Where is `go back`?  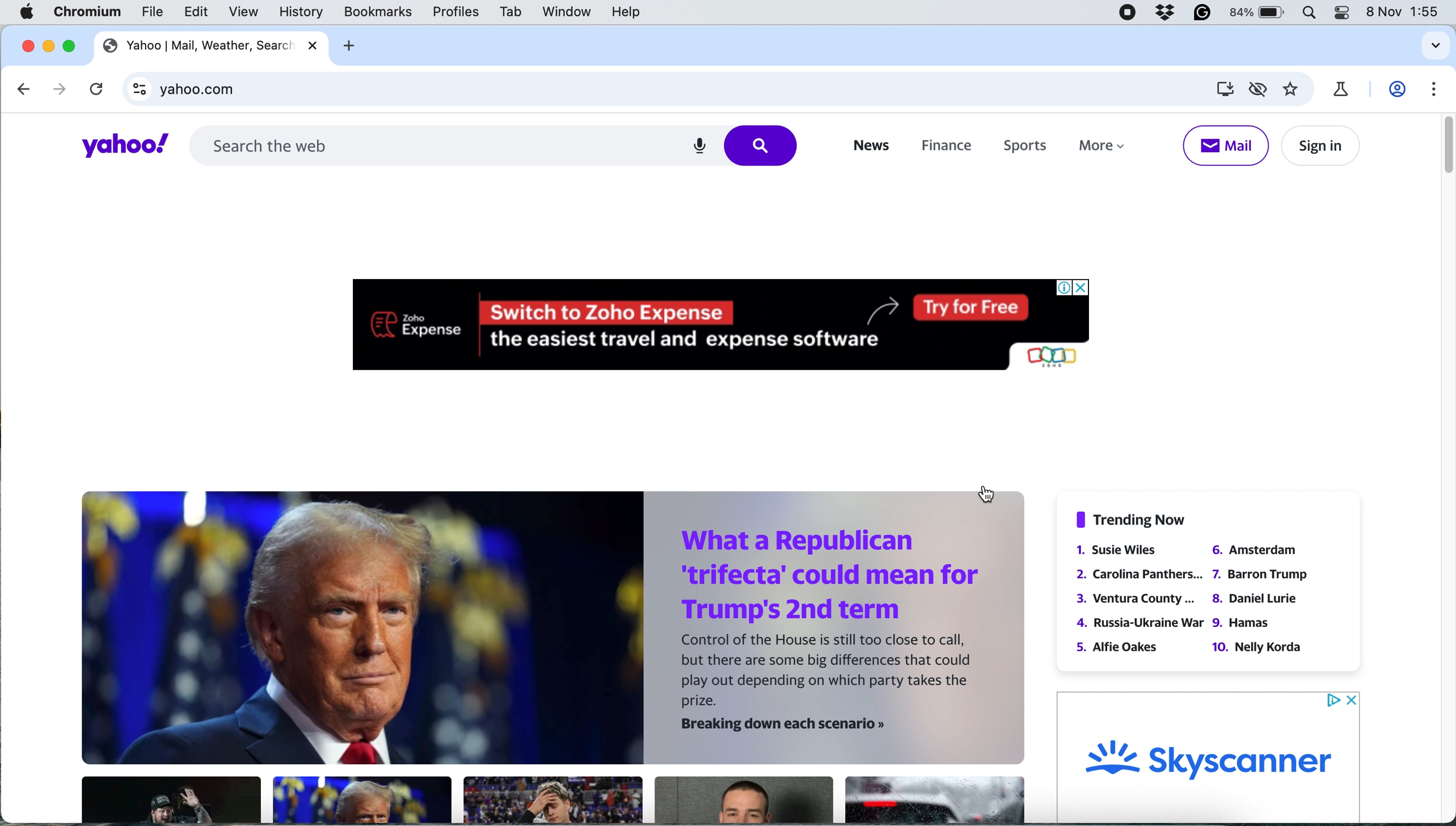 go back is located at coordinates (26, 90).